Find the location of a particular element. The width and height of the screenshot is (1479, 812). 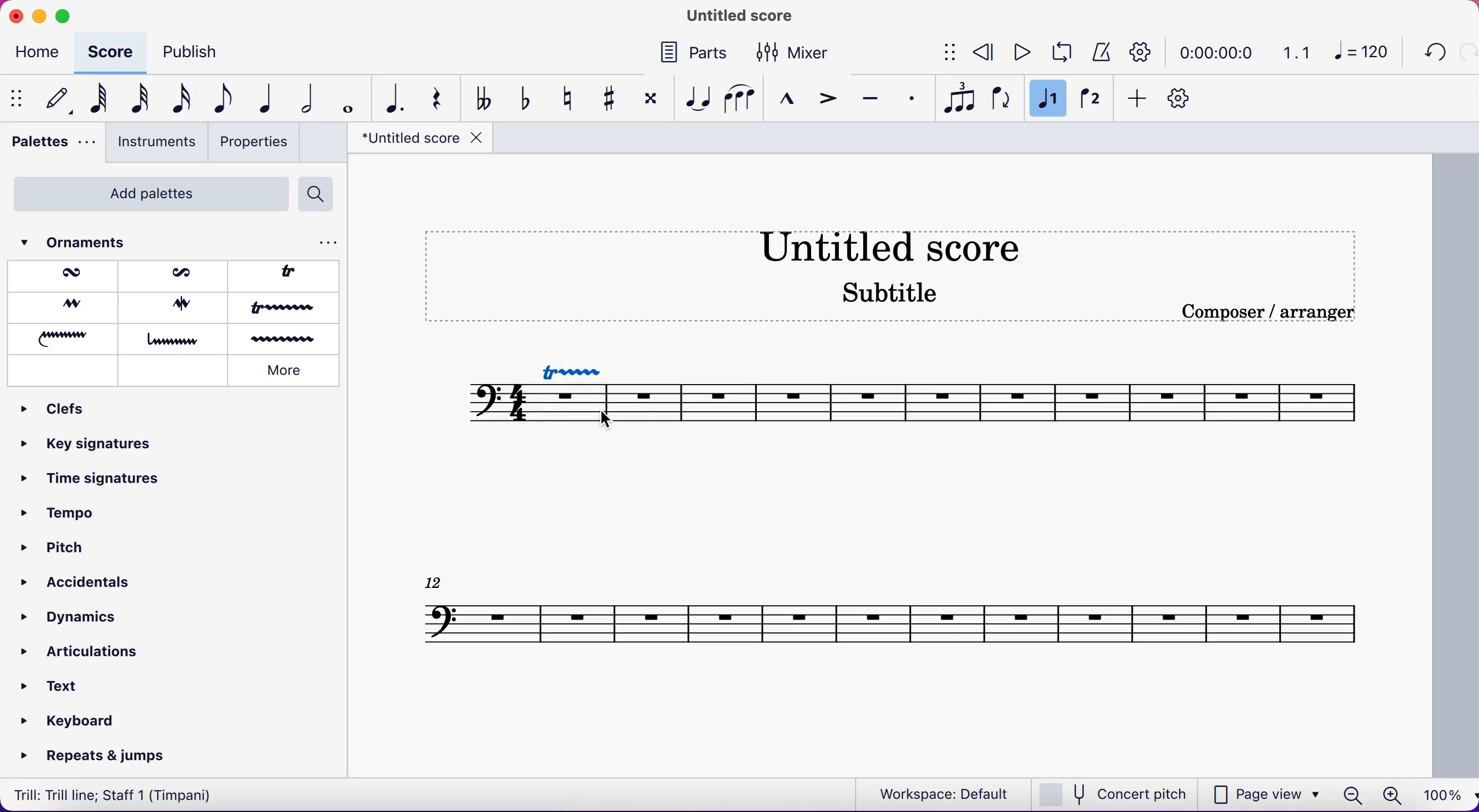

page view is located at coordinates (1268, 793).